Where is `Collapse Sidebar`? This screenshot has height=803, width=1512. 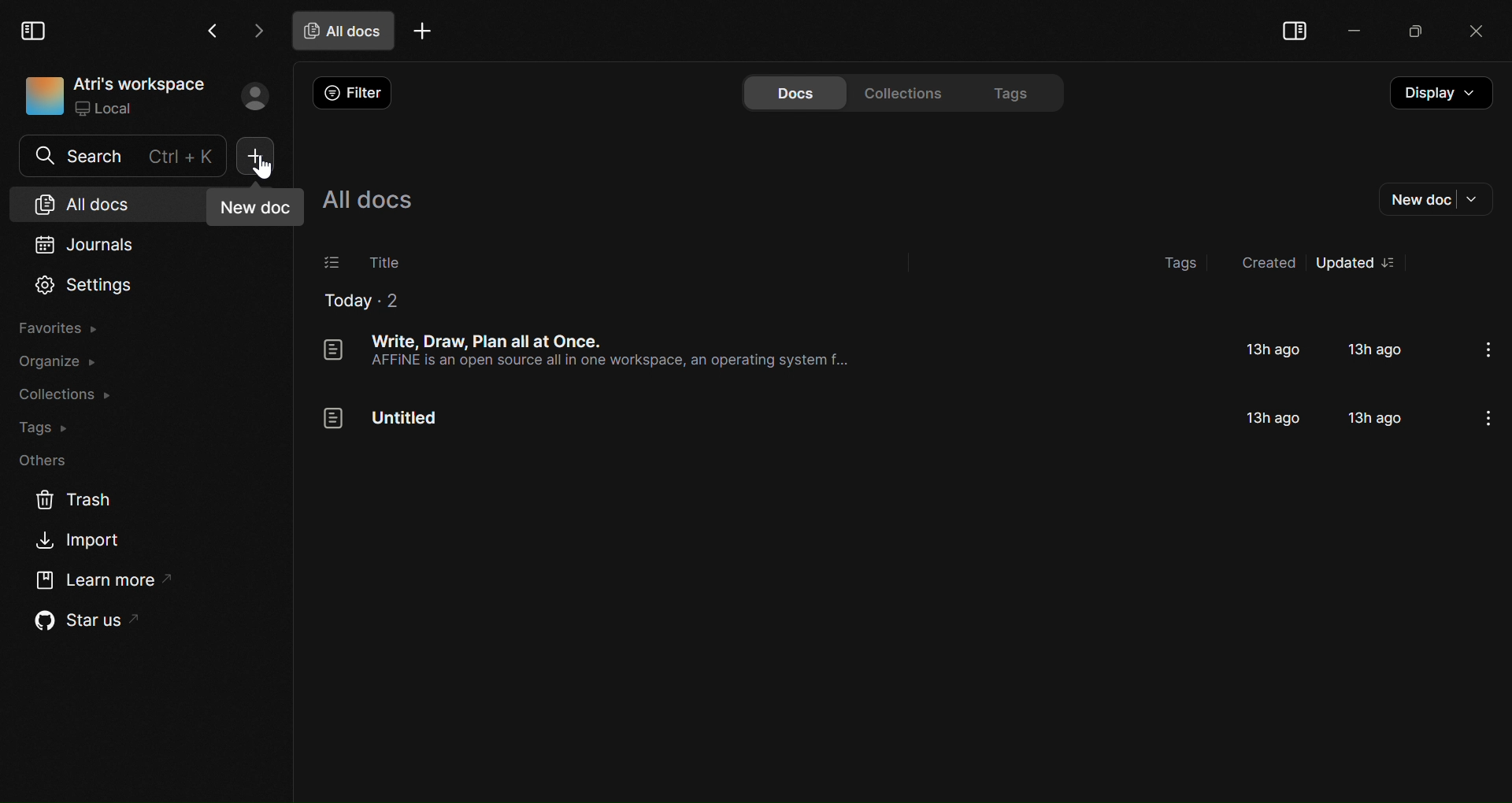 Collapse Sidebar is located at coordinates (35, 28).